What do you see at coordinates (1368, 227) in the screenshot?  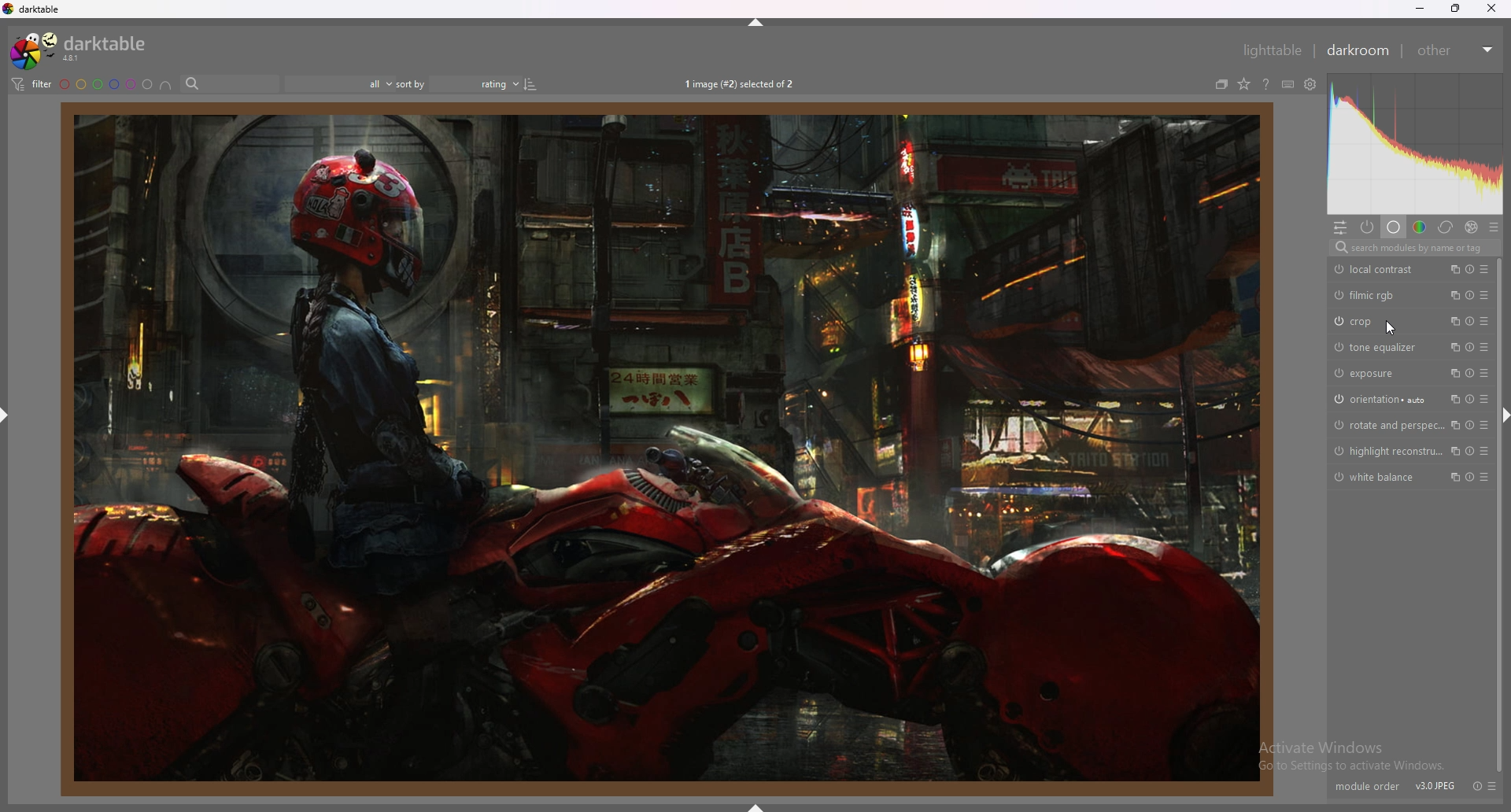 I see `active modules` at bounding box center [1368, 227].